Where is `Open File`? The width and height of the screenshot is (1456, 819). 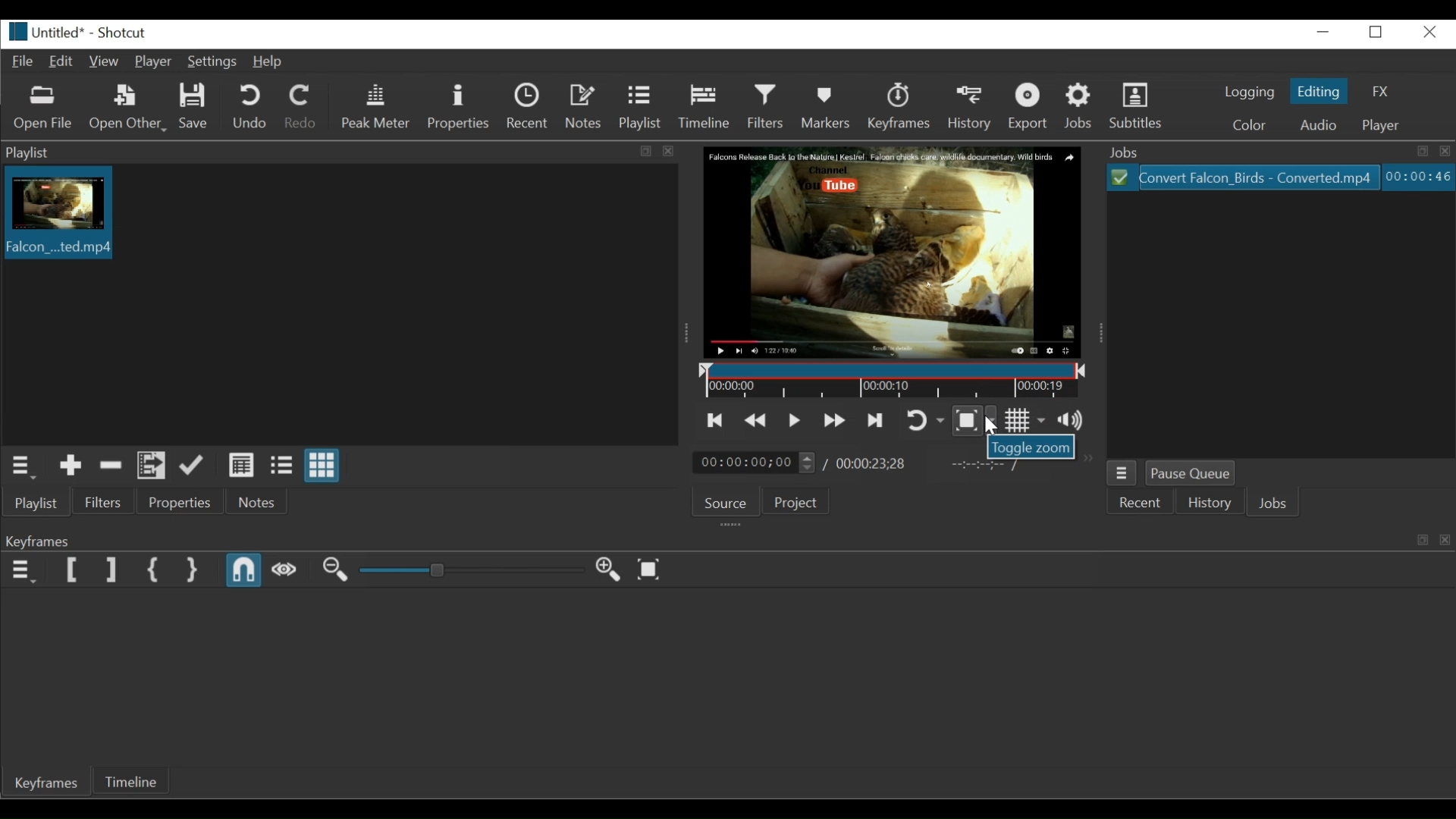 Open File is located at coordinates (44, 108).